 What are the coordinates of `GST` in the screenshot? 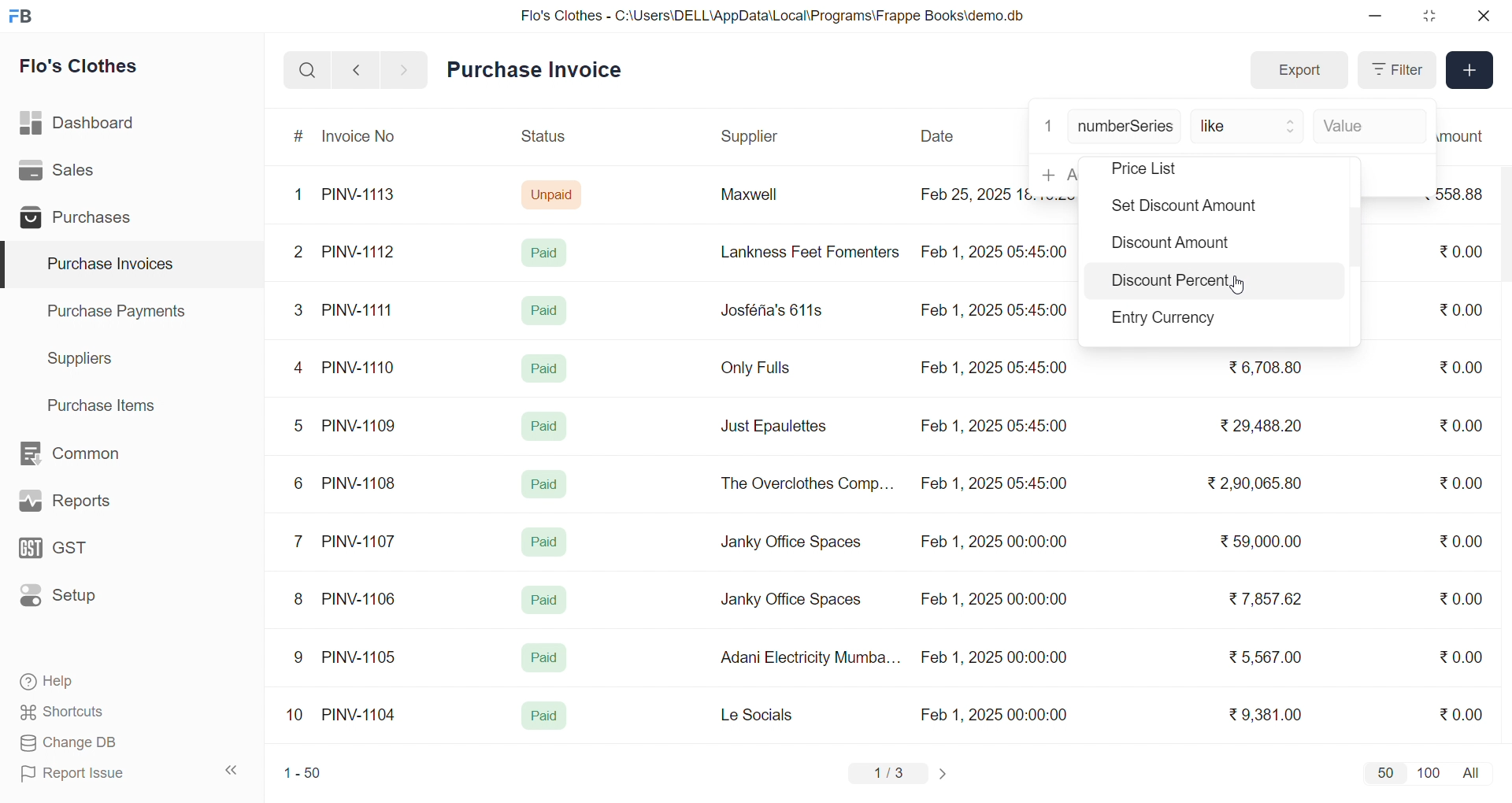 It's located at (82, 553).